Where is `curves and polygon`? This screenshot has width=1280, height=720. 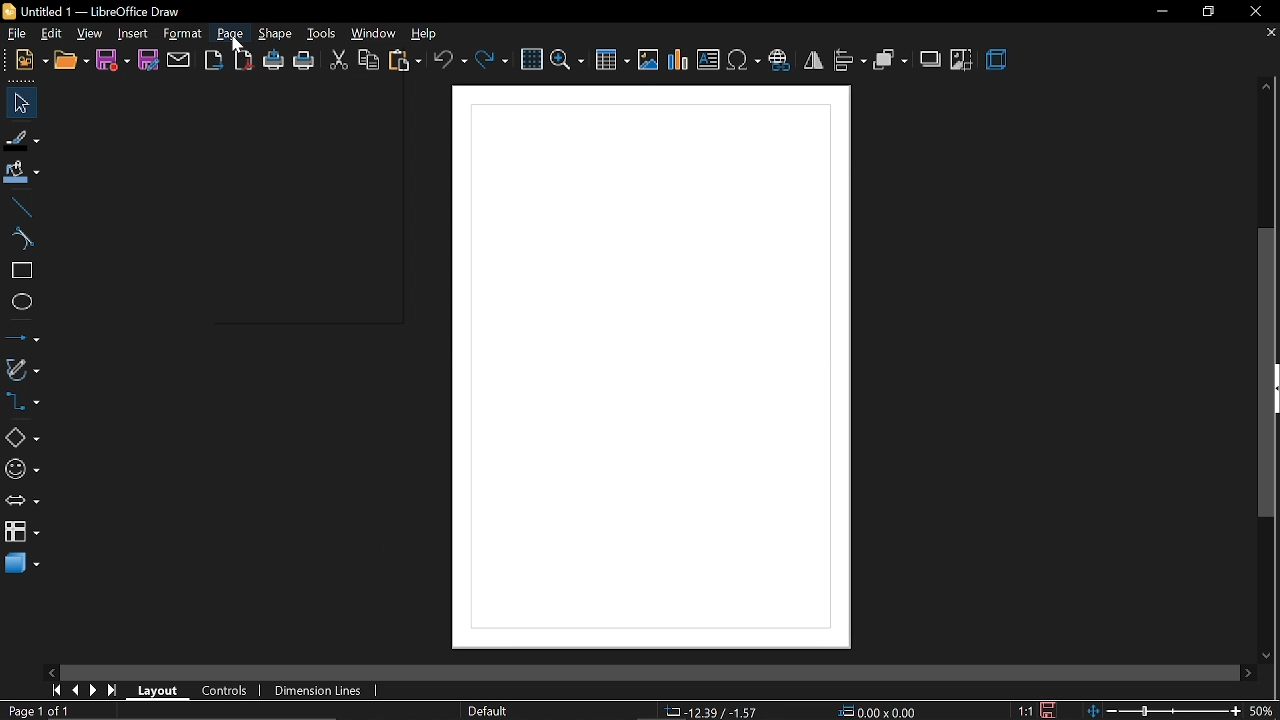 curves and polygon is located at coordinates (23, 369).